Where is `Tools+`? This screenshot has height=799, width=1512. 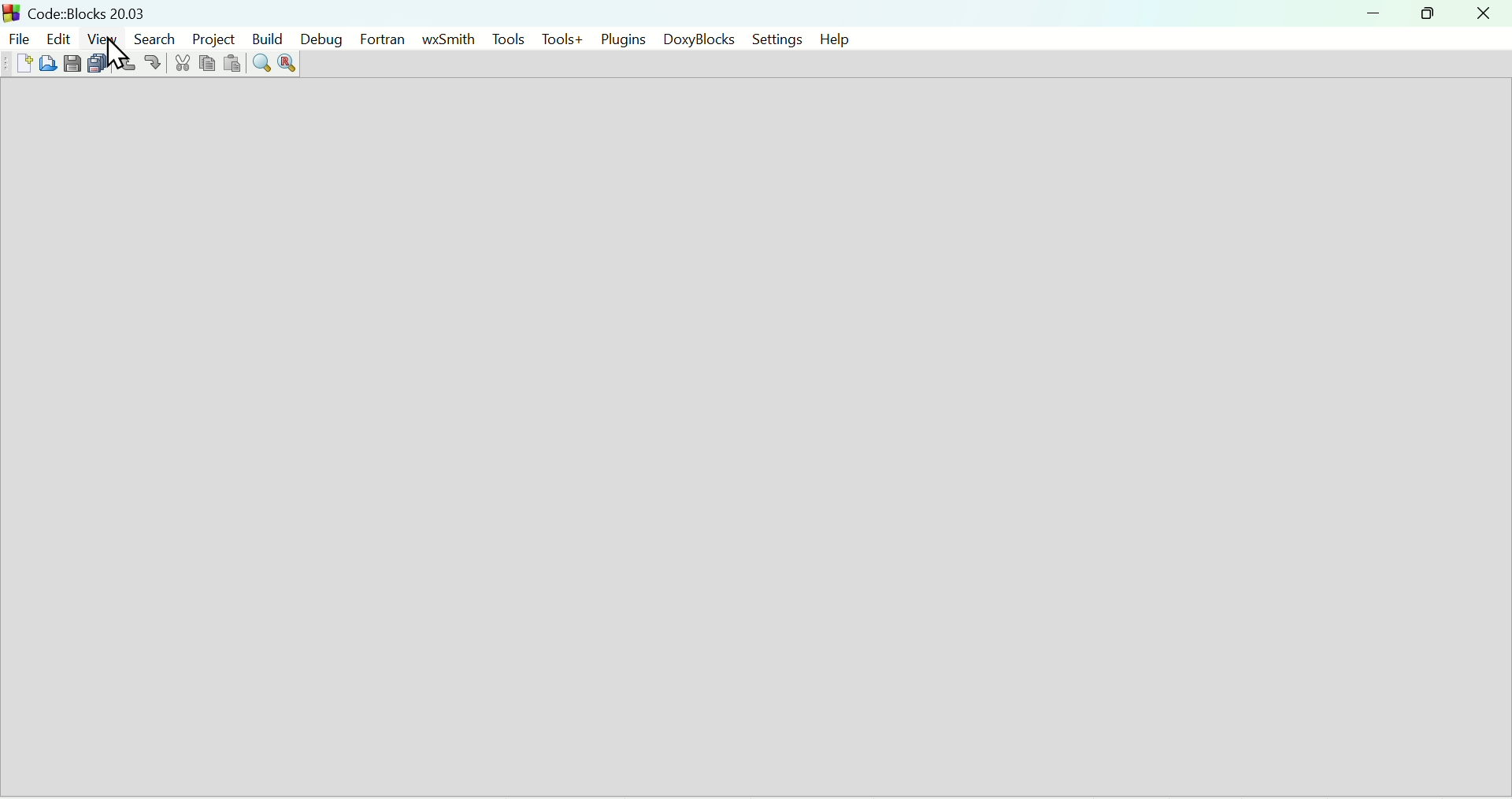 Tools+ is located at coordinates (562, 39).